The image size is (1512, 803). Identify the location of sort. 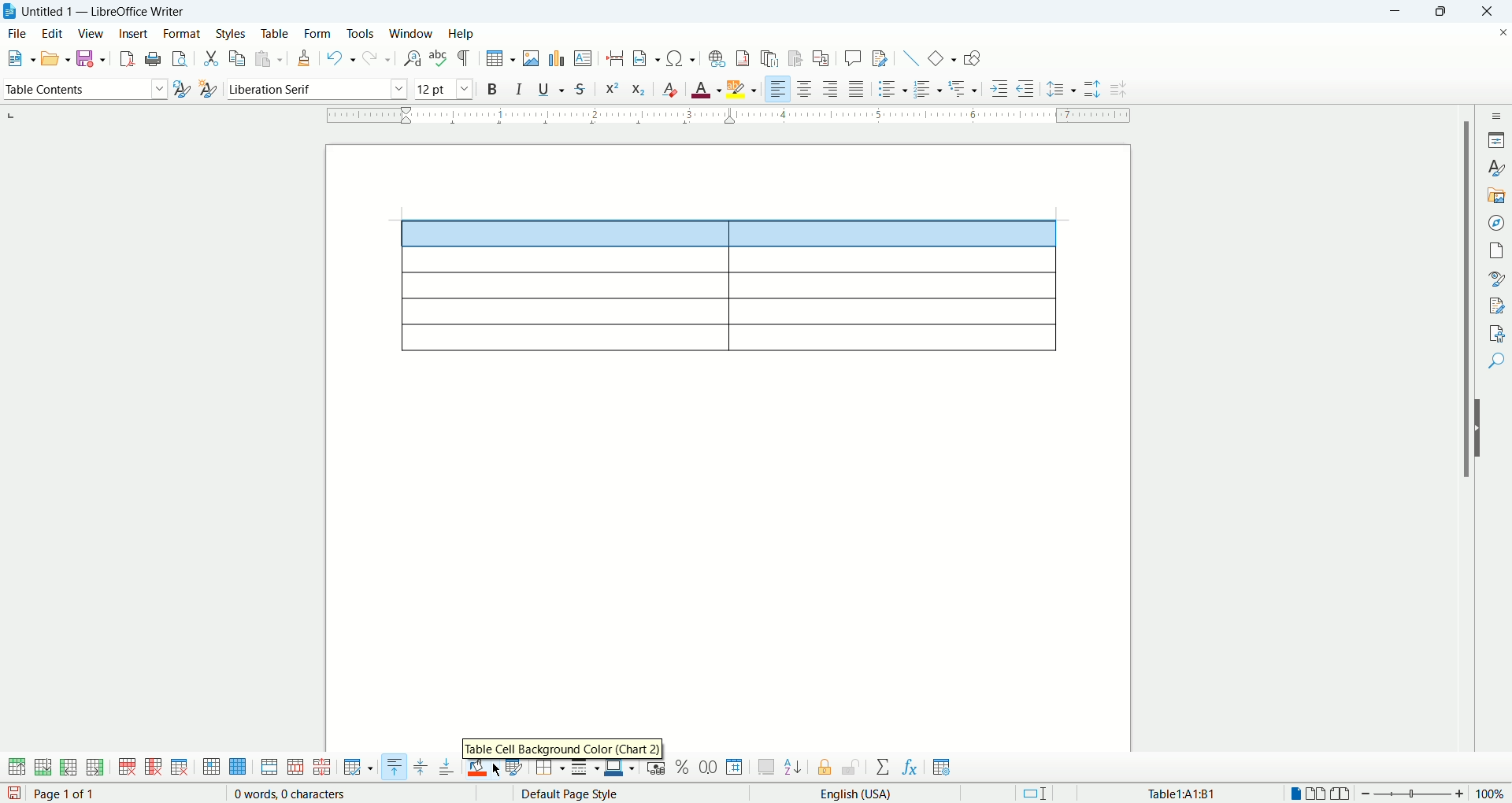
(793, 765).